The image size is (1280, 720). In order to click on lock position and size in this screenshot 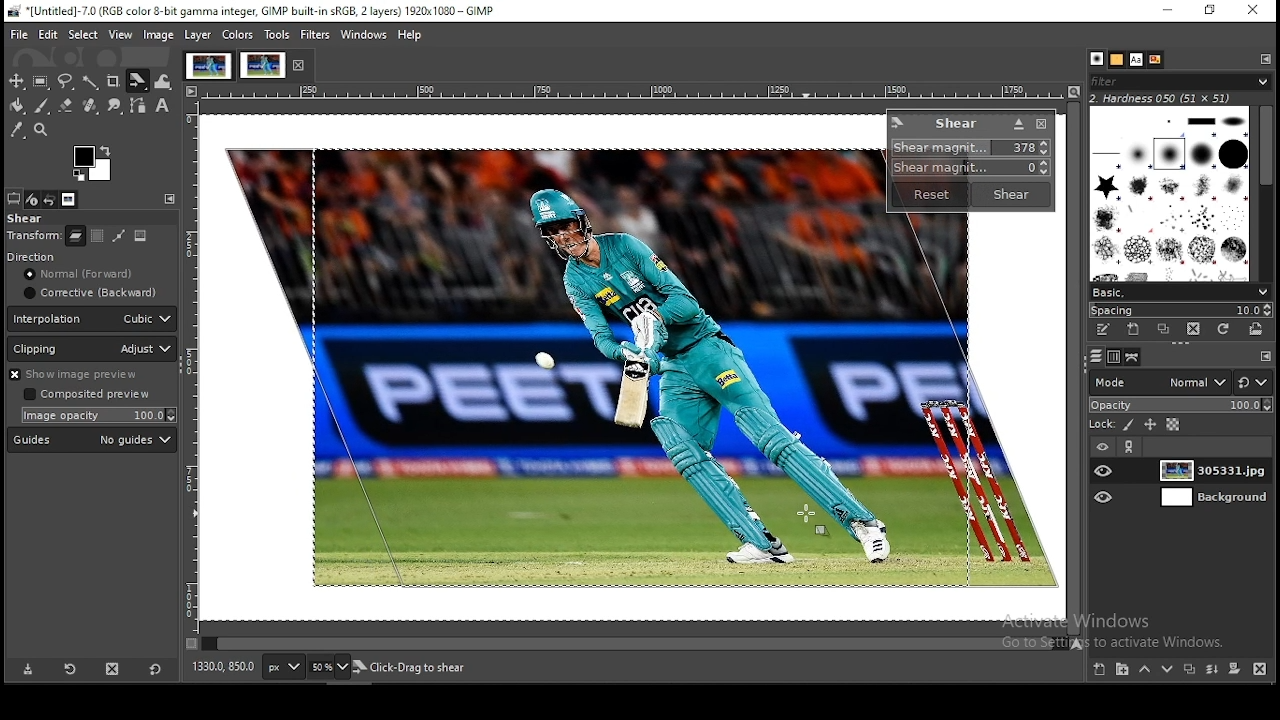, I will do `click(1153, 426)`.